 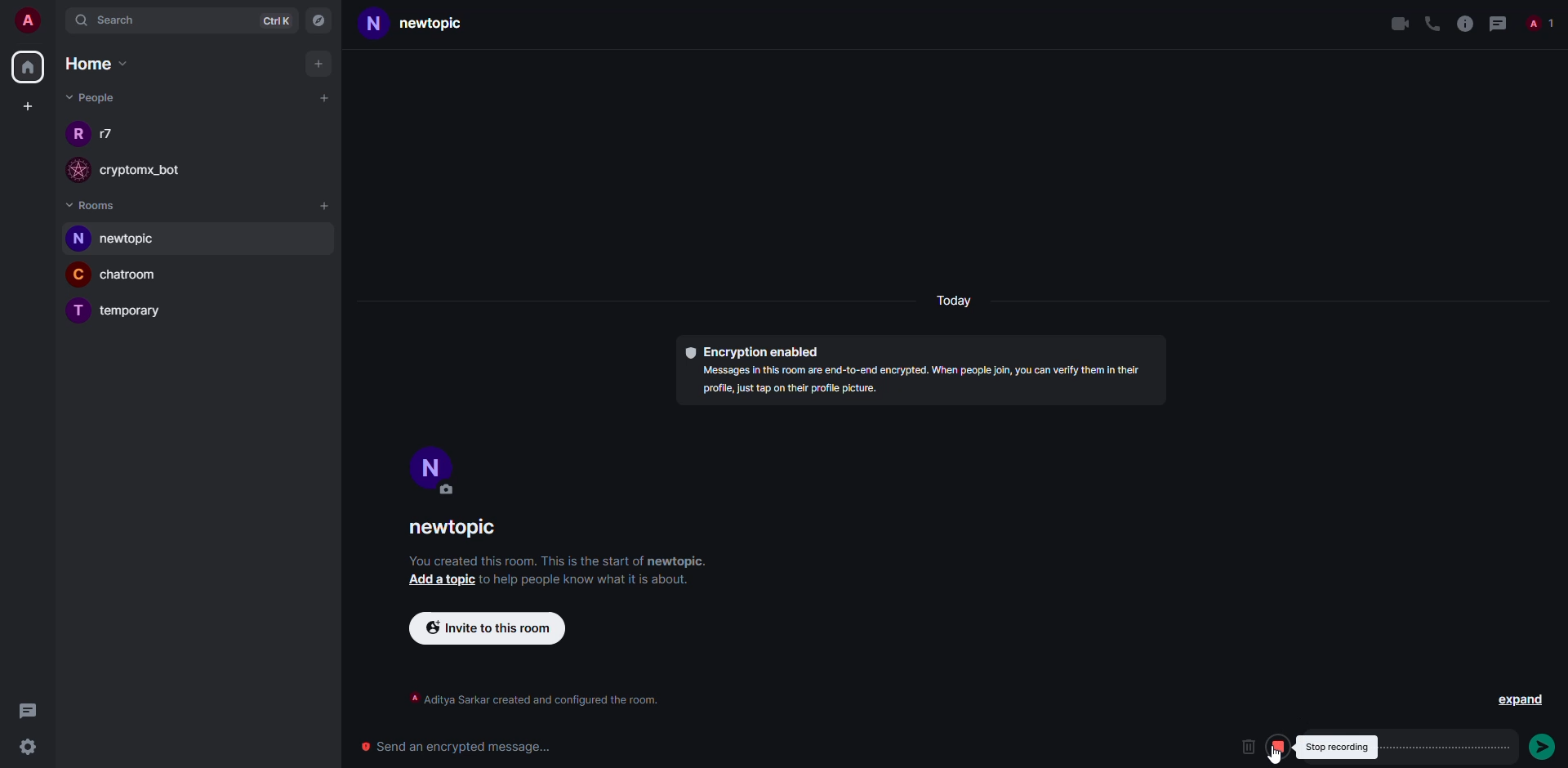 I want to click on account, so click(x=33, y=23).